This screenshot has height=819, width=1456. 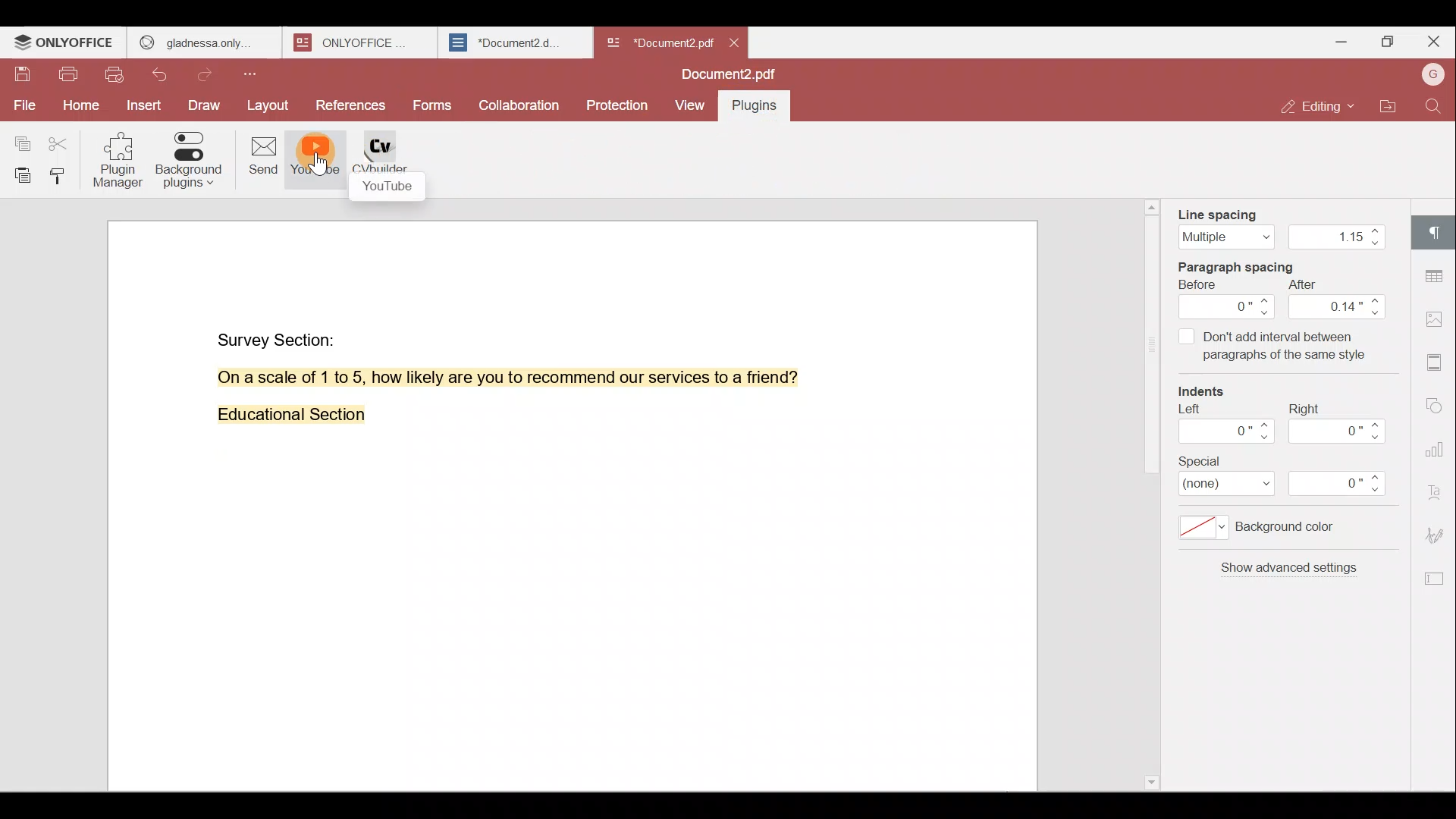 I want to click on Document2.d, so click(x=514, y=43).